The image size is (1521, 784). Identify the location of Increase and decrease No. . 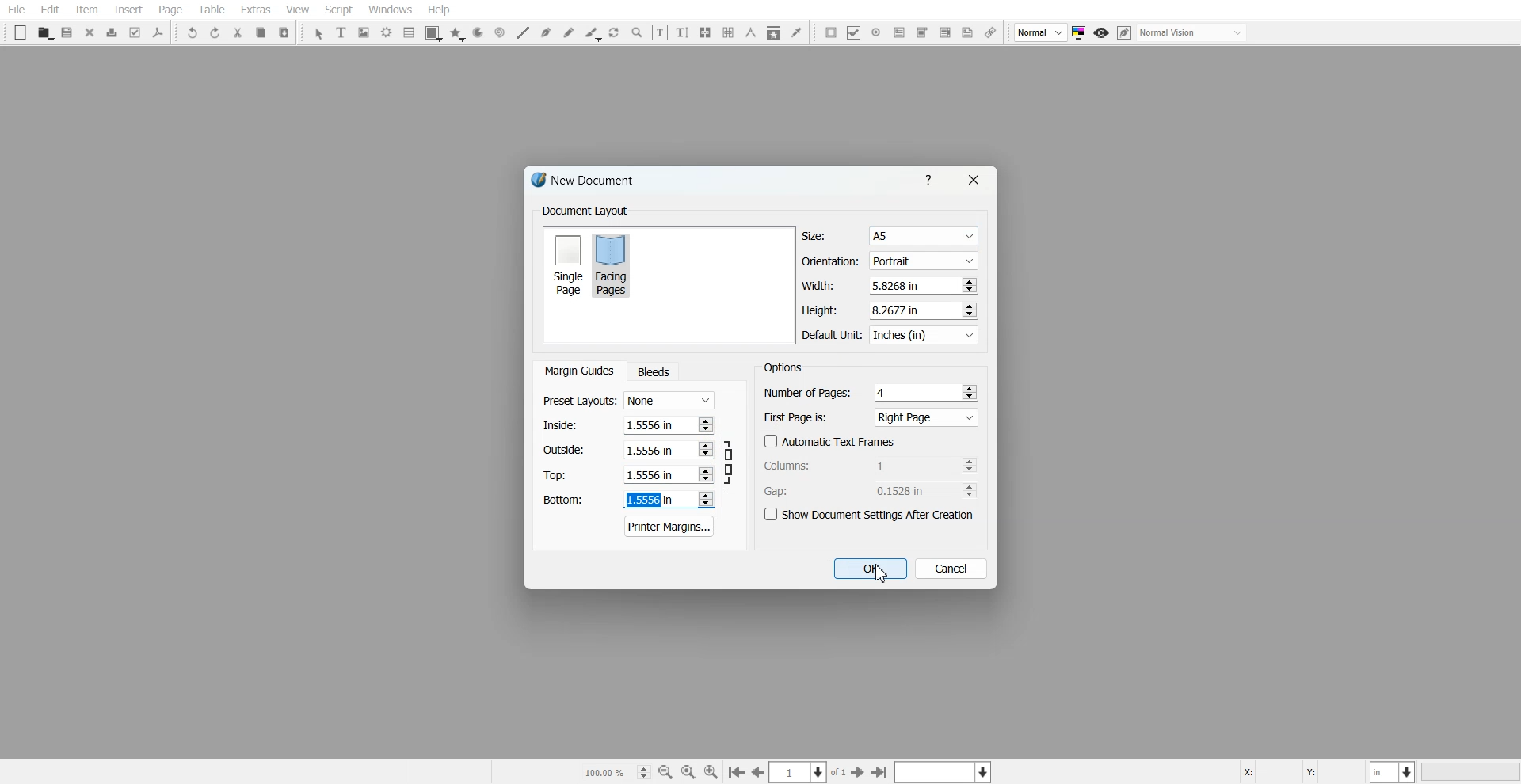
(706, 450).